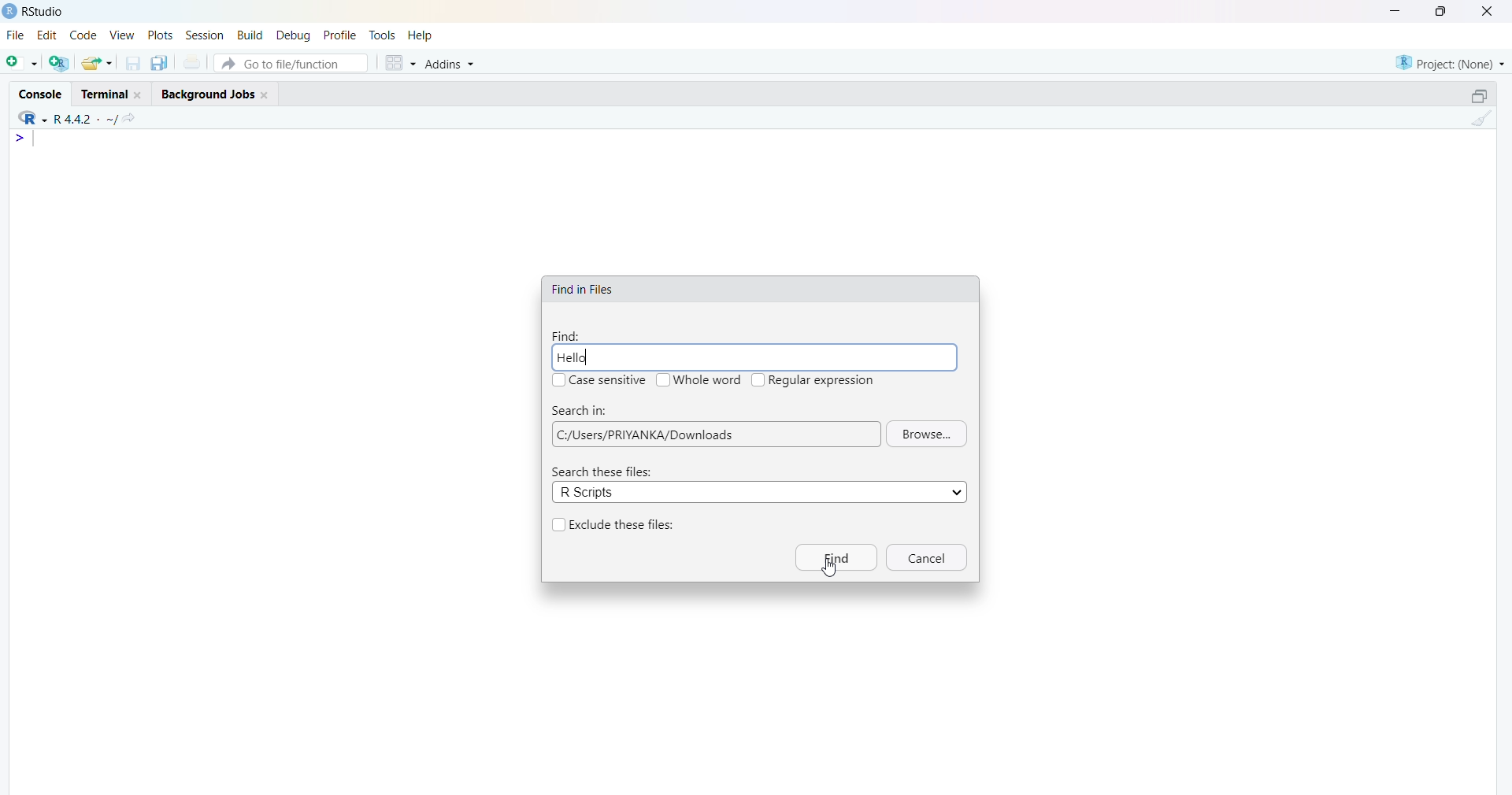  What do you see at coordinates (140, 95) in the screenshot?
I see `close` at bounding box center [140, 95].